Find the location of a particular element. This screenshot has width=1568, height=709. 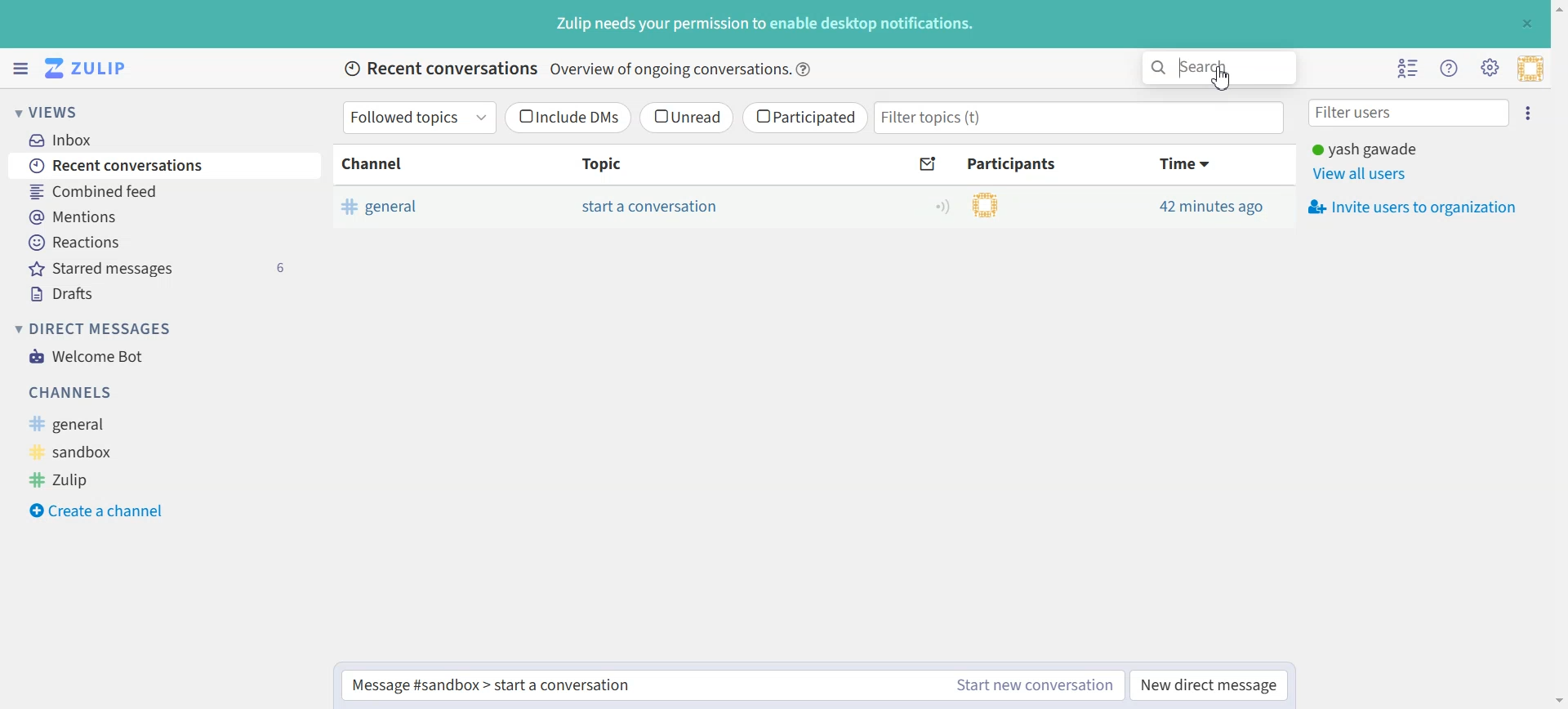

Combined feed is located at coordinates (162, 192).